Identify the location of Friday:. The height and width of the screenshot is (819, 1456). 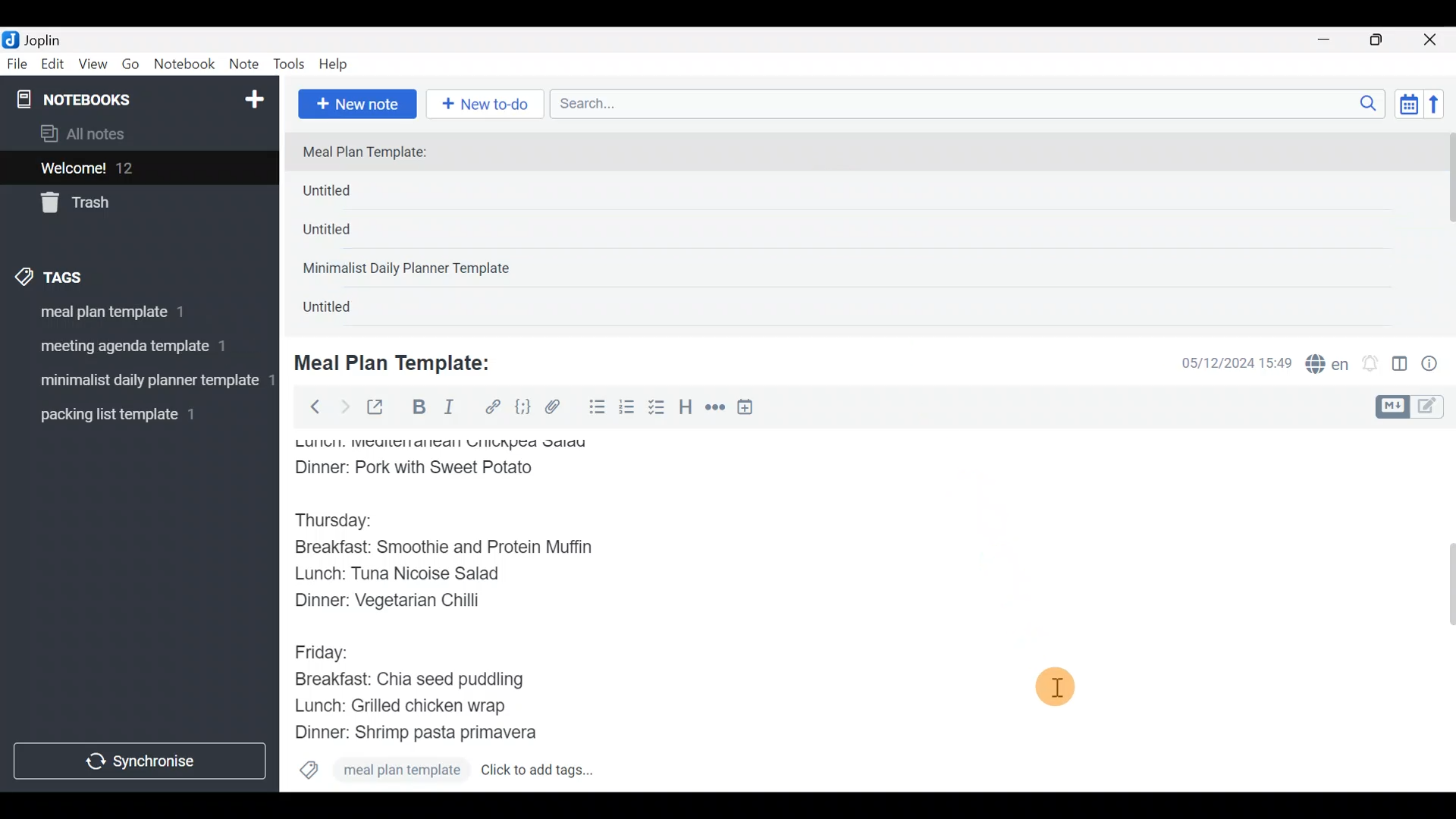
(326, 651).